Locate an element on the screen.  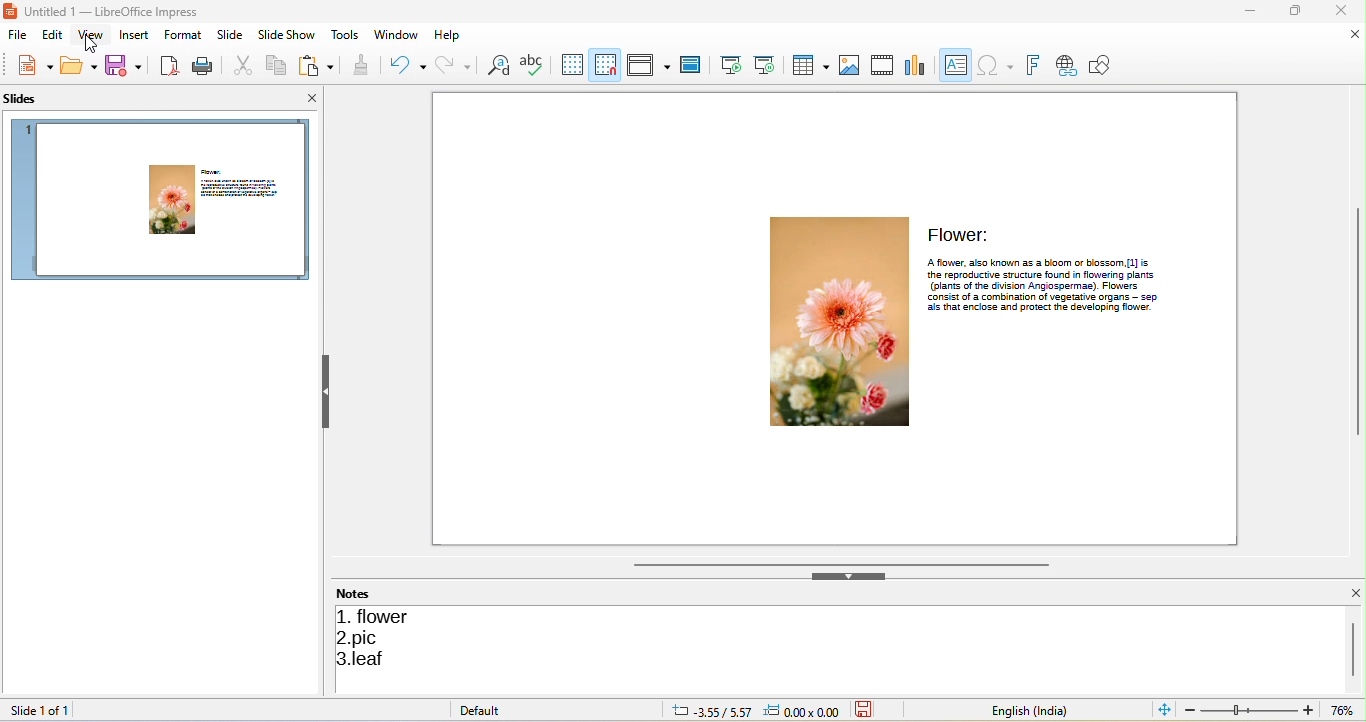
image is located at coordinates (847, 63).